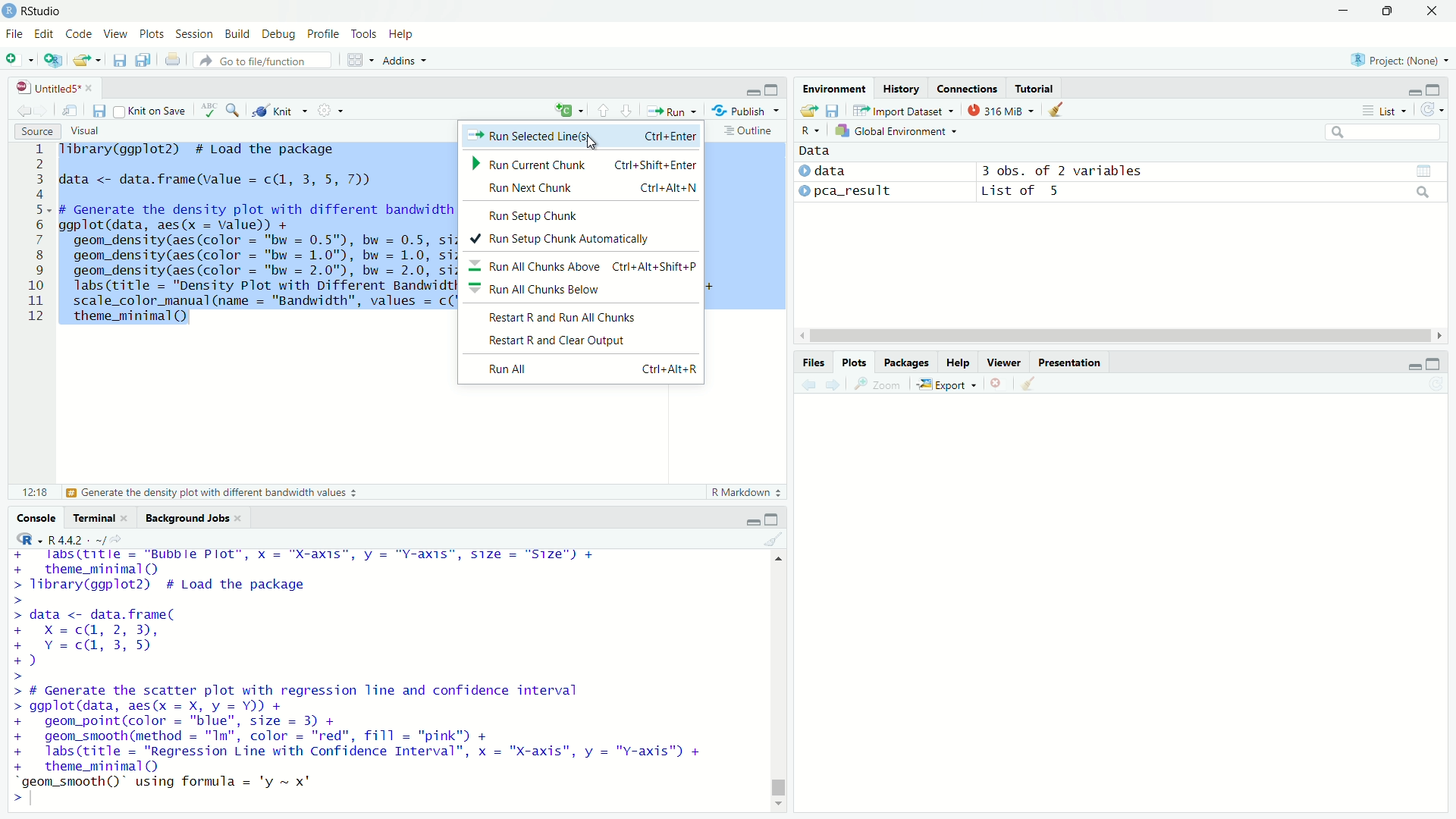 This screenshot has height=819, width=1456. What do you see at coordinates (1414, 366) in the screenshot?
I see `minimize` at bounding box center [1414, 366].